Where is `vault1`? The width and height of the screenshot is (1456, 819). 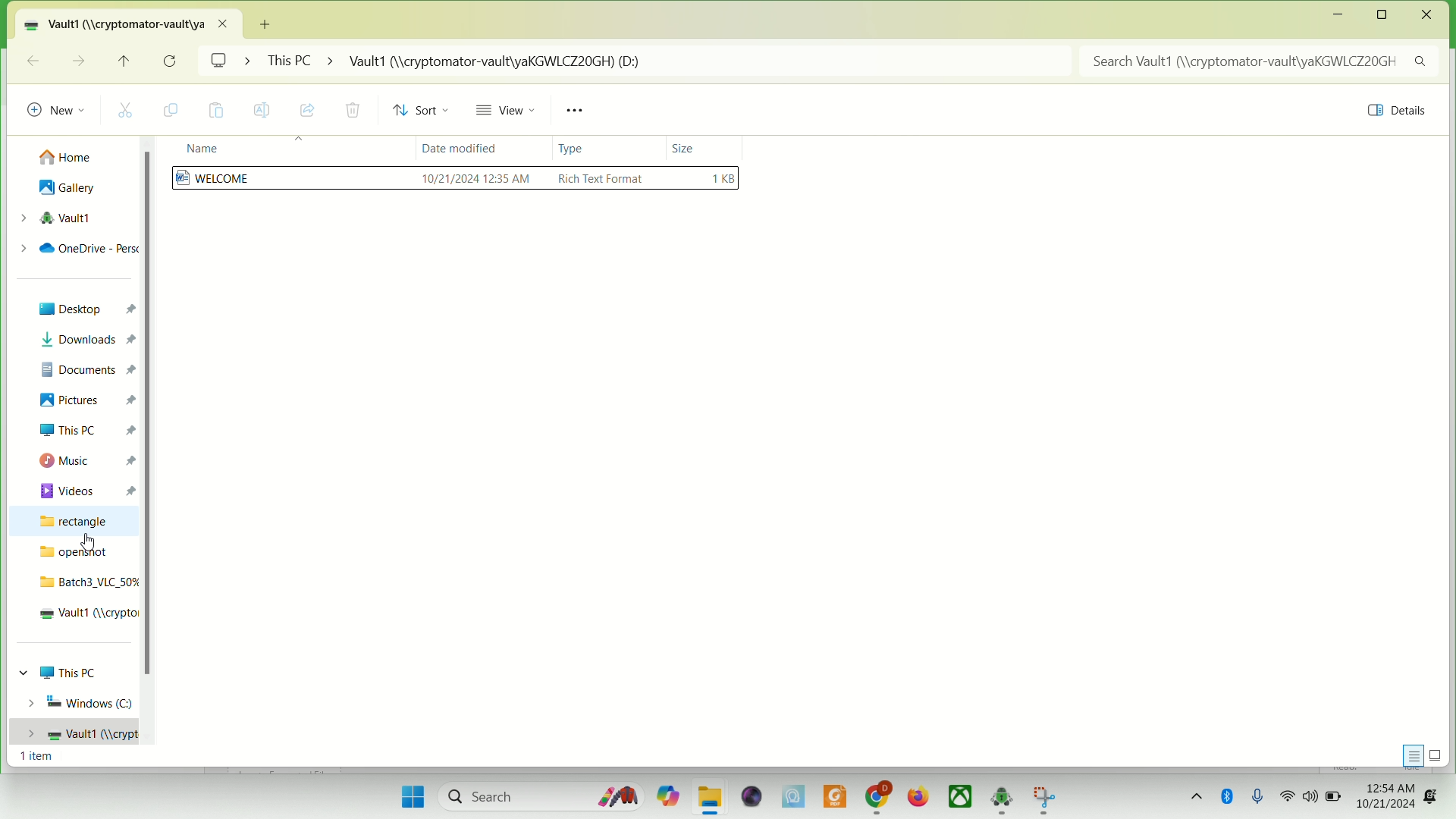 vault1 is located at coordinates (83, 614).